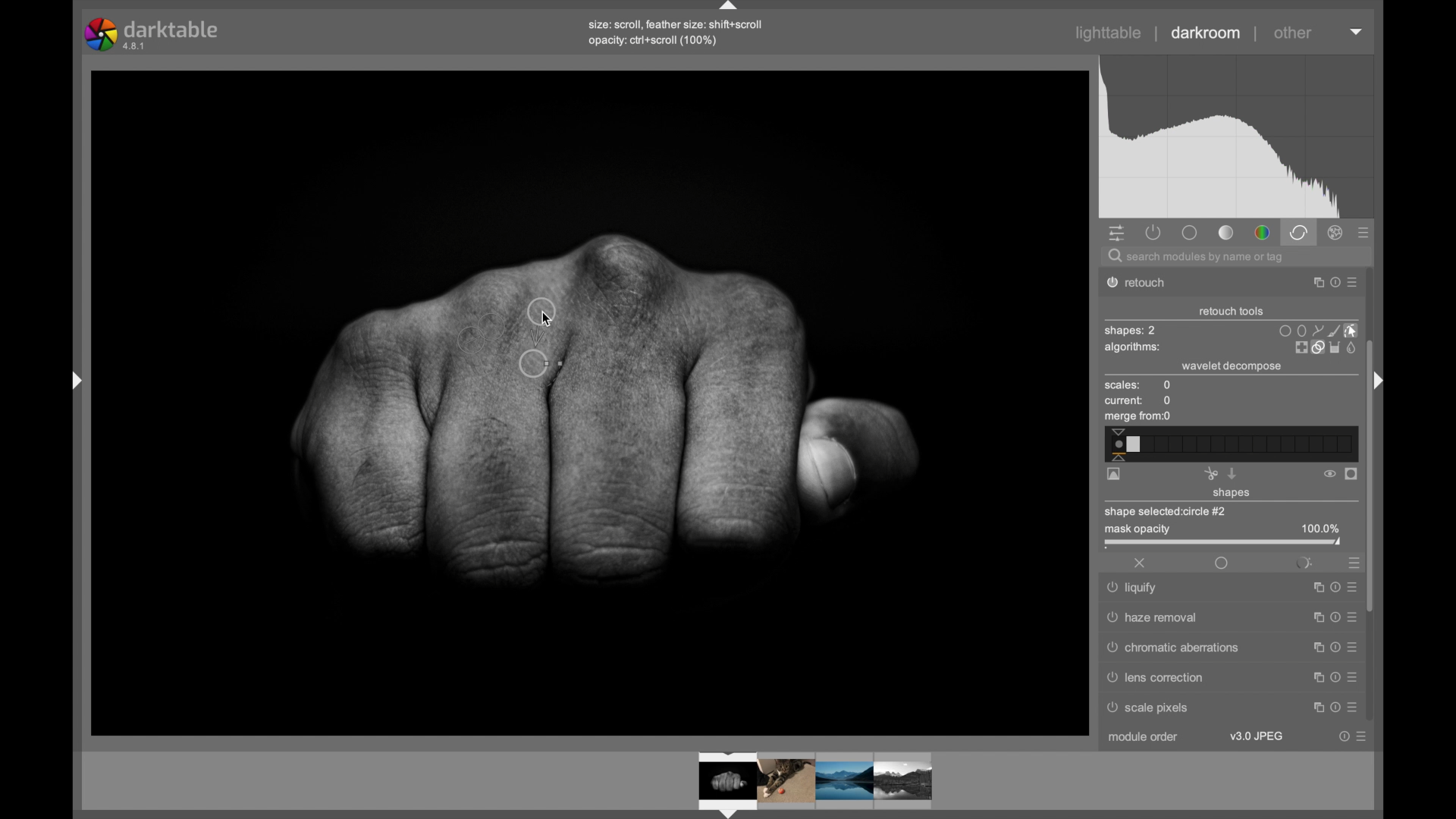  Describe the element at coordinates (1373, 483) in the screenshot. I see `scroll box` at that location.